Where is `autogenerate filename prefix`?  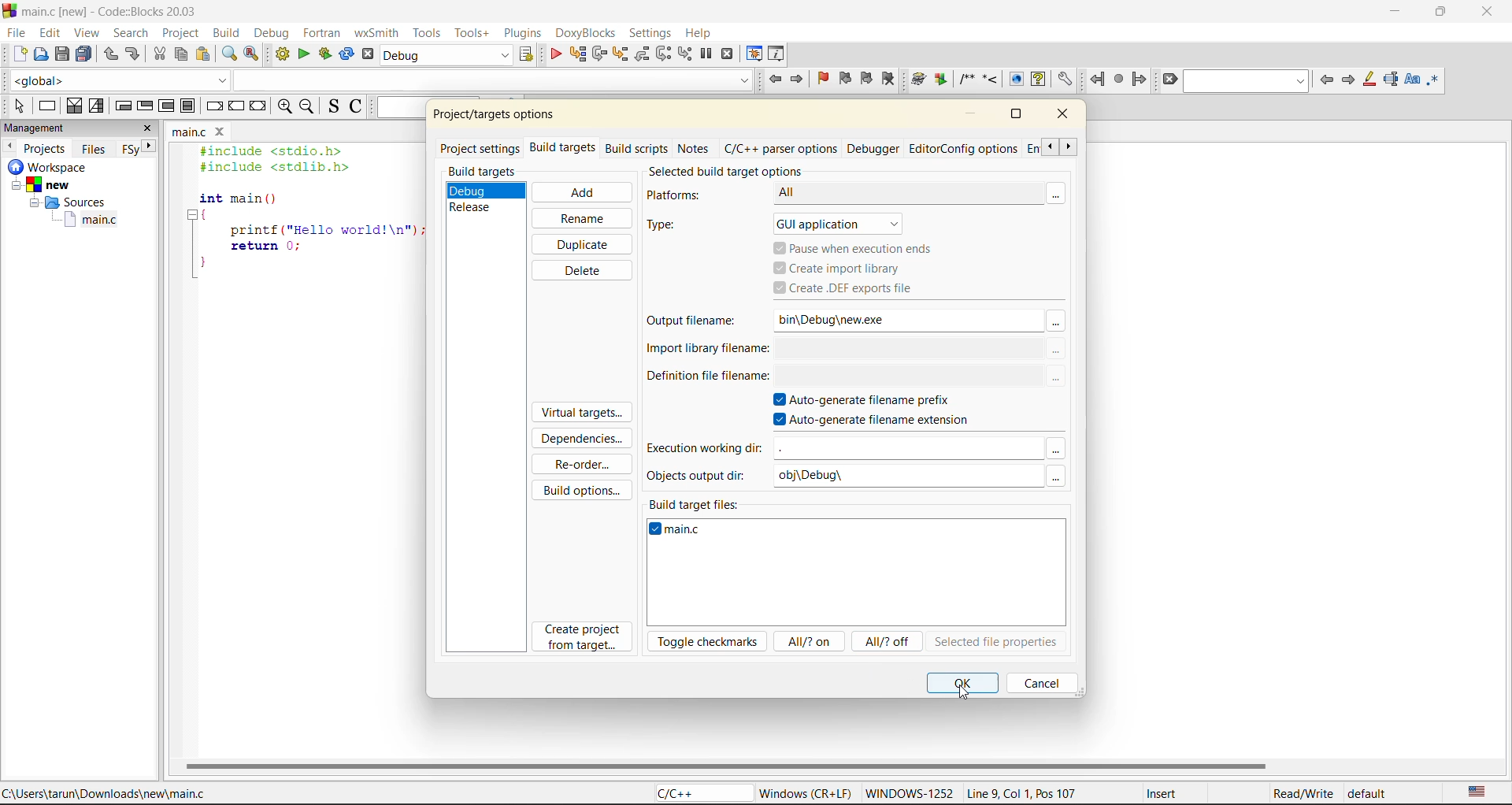 autogenerate filename prefix is located at coordinates (864, 399).